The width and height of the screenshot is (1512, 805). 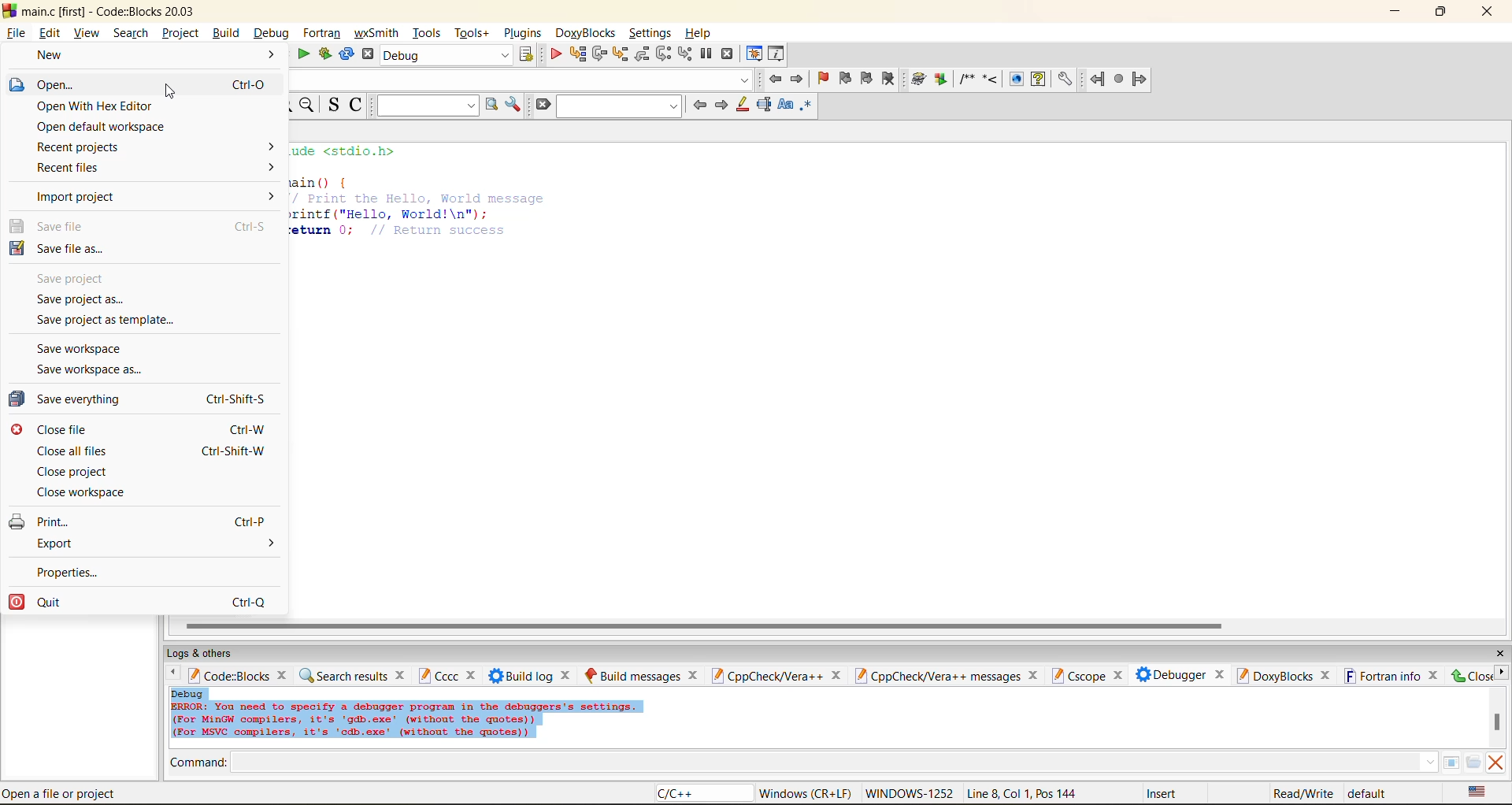 I want to click on close file, so click(x=151, y=429).